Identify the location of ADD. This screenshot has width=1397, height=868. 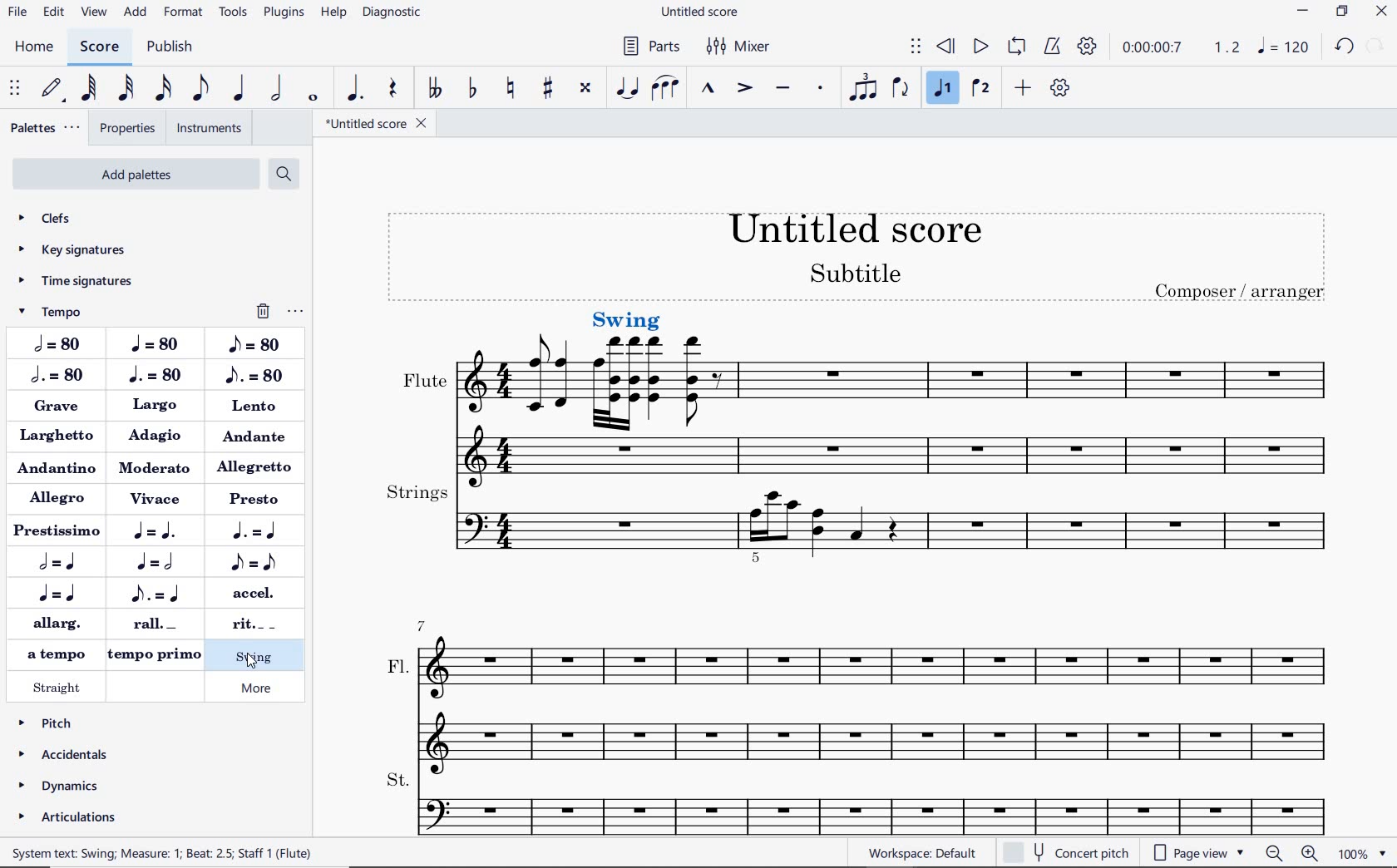
(1024, 89).